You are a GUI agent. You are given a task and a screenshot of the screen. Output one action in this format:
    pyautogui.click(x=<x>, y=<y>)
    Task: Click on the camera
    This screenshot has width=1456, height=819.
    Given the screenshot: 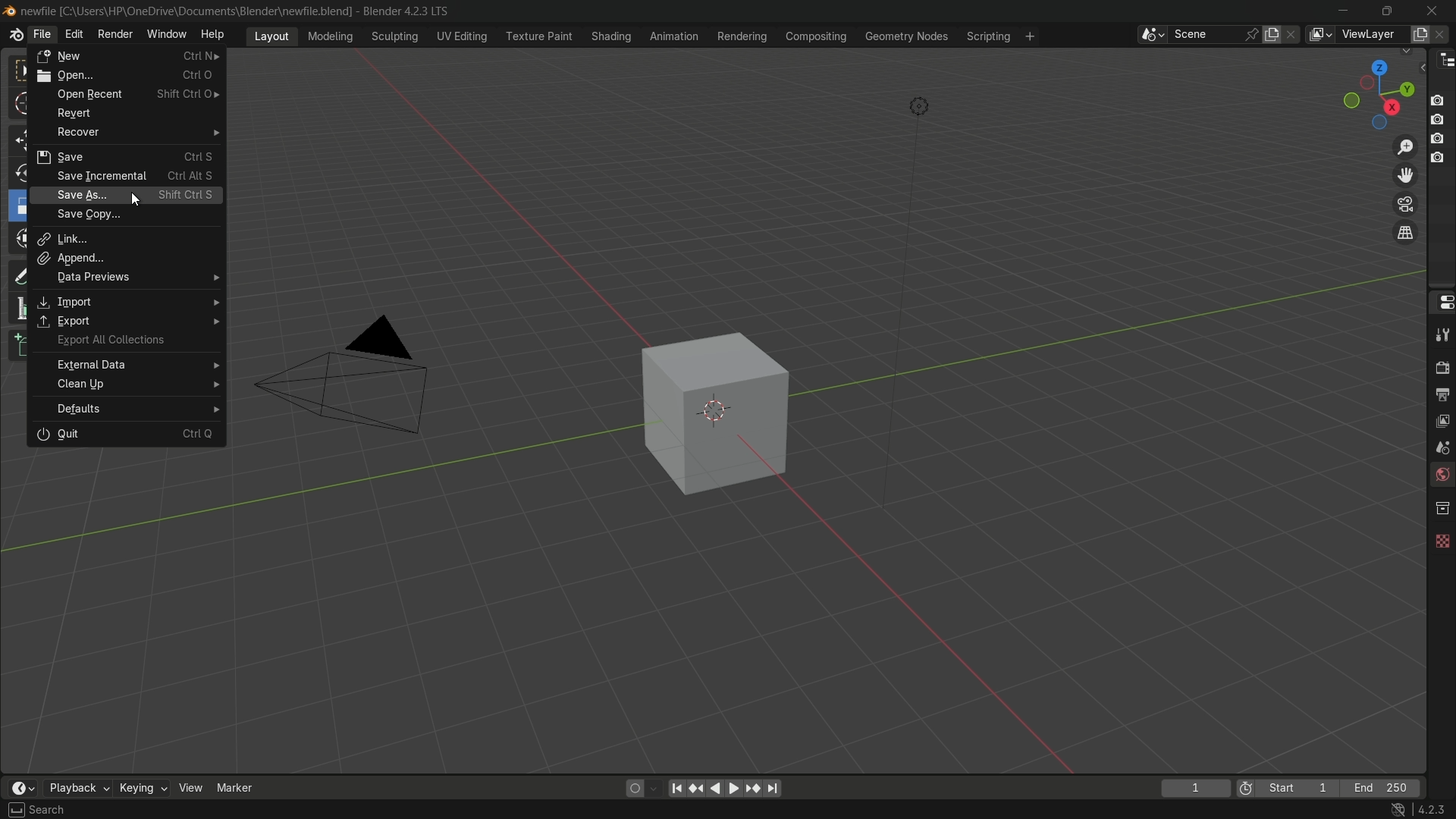 What is the action you would take?
    pyautogui.click(x=353, y=377)
    